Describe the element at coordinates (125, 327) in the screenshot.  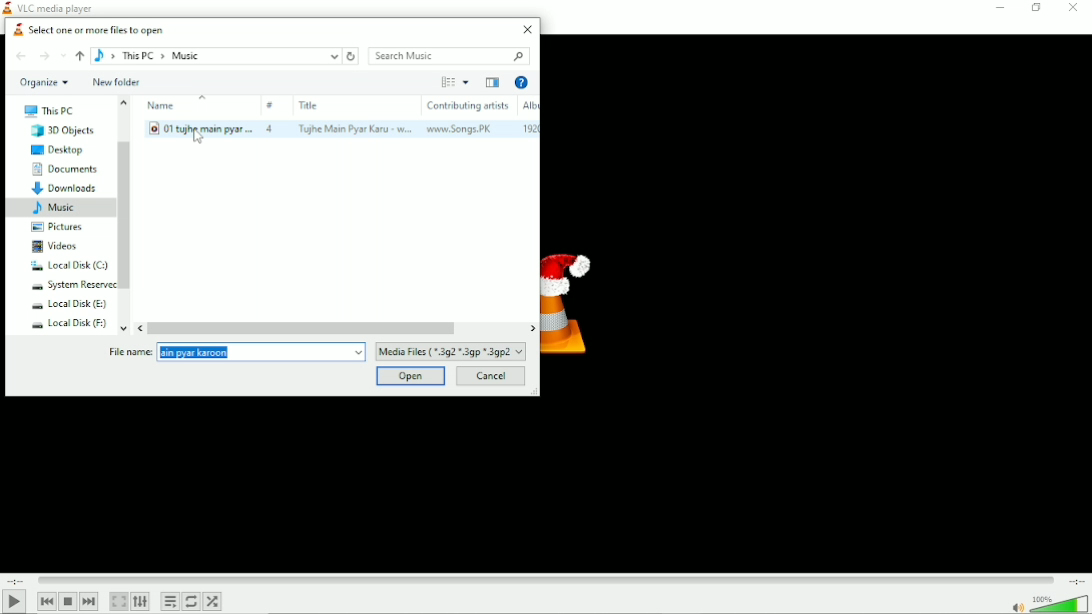
I see `move down` at that location.